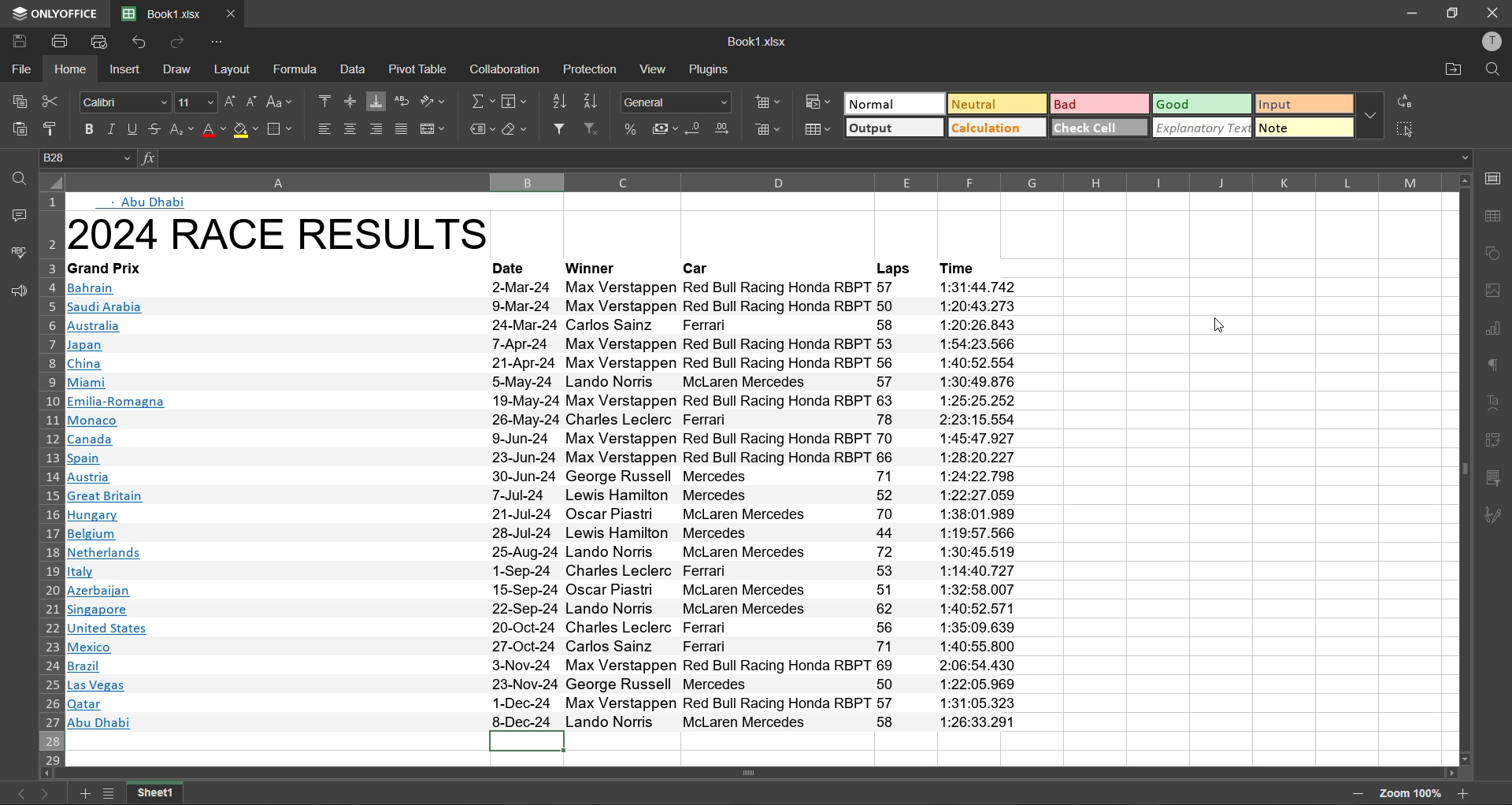 The height and width of the screenshot is (805, 1512). I want to click on move down, so click(1463, 760).